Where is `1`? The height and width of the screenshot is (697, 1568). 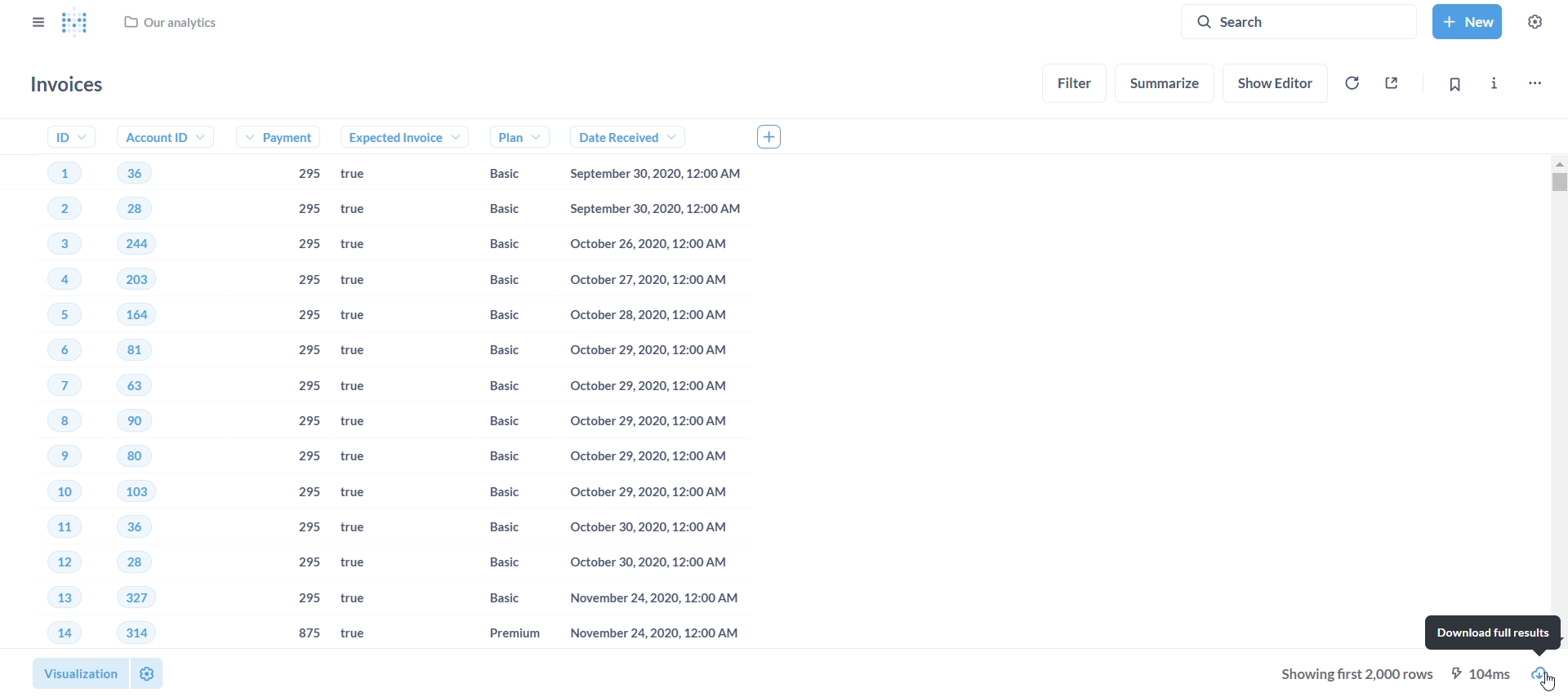
1 is located at coordinates (60, 171).